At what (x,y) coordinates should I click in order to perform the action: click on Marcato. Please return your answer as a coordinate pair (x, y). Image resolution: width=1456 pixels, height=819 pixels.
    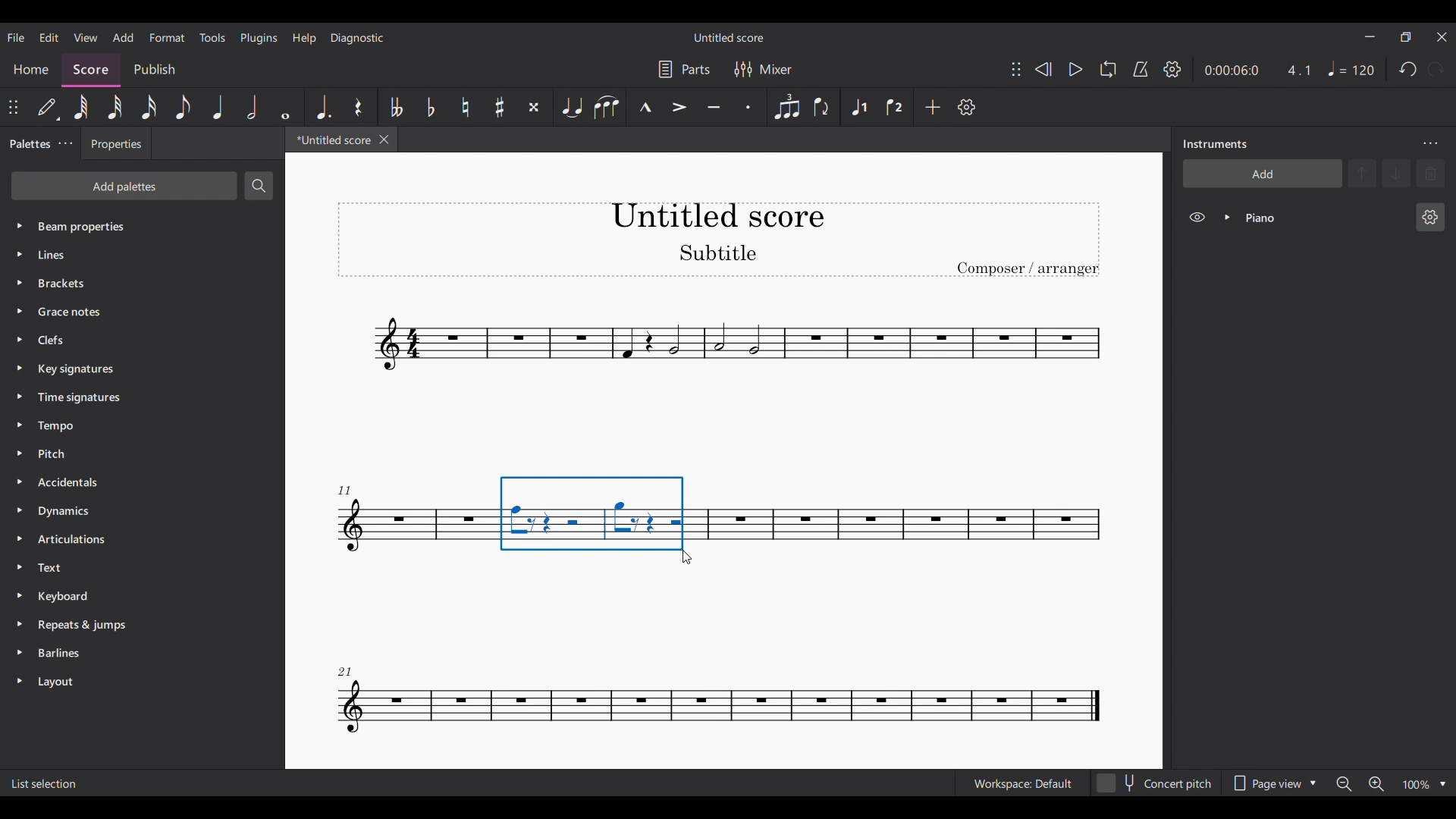
    Looking at the image, I should click on (645, 107).